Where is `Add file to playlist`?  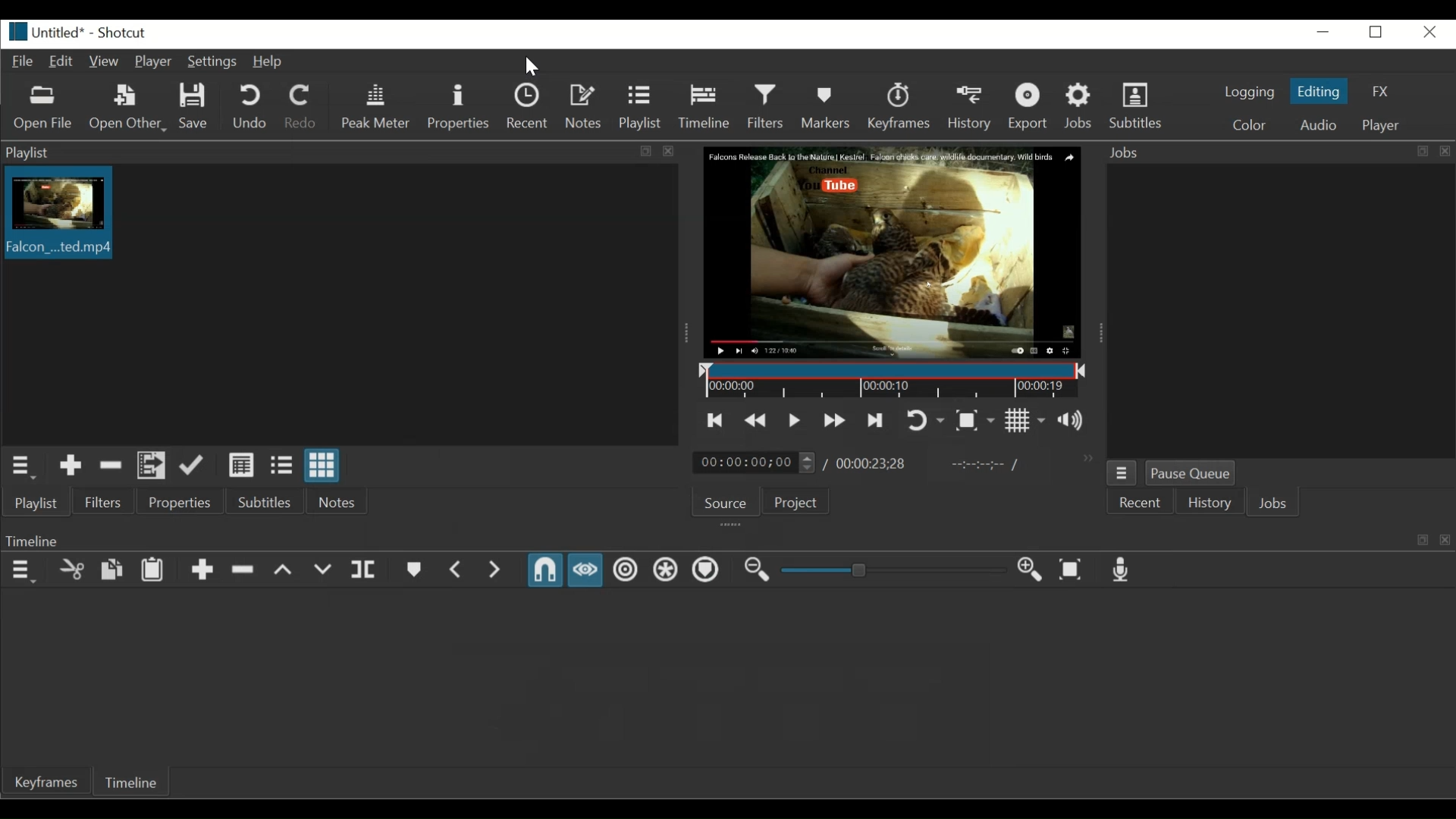
Add file to playlist is located at coordinates (149, 466).